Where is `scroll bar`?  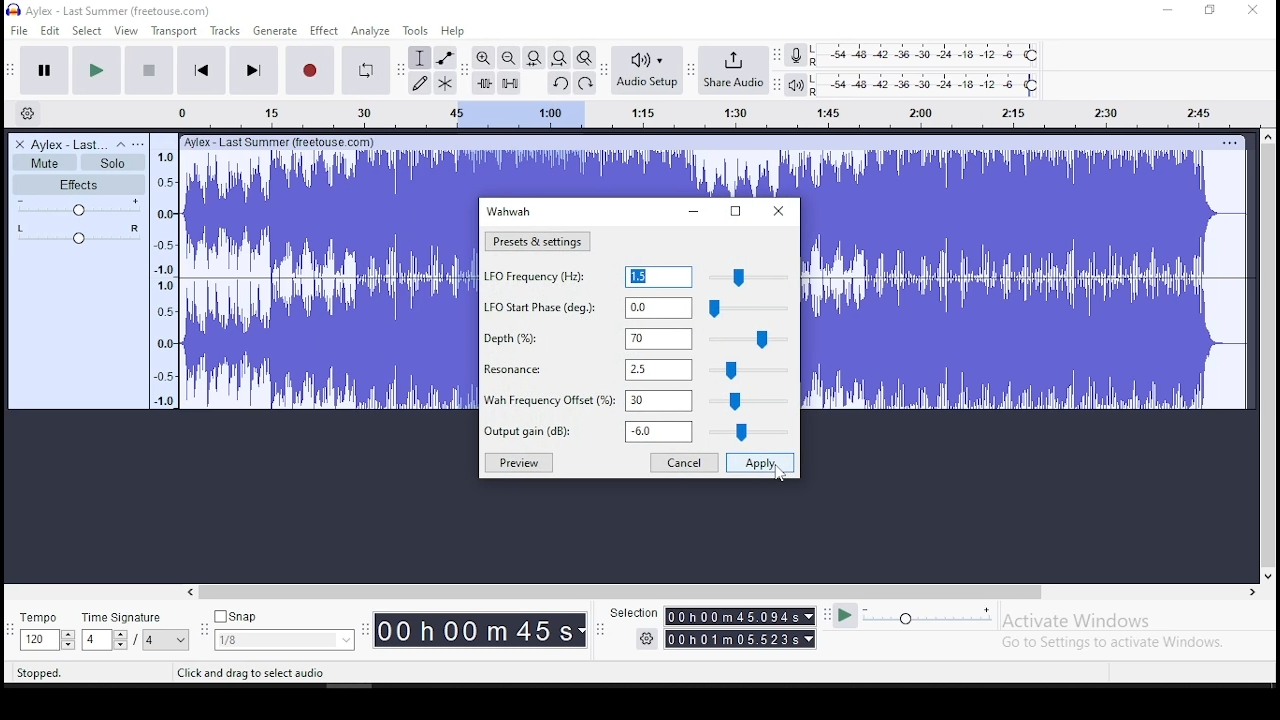 scroll bar is located at coordinates (722, 593).